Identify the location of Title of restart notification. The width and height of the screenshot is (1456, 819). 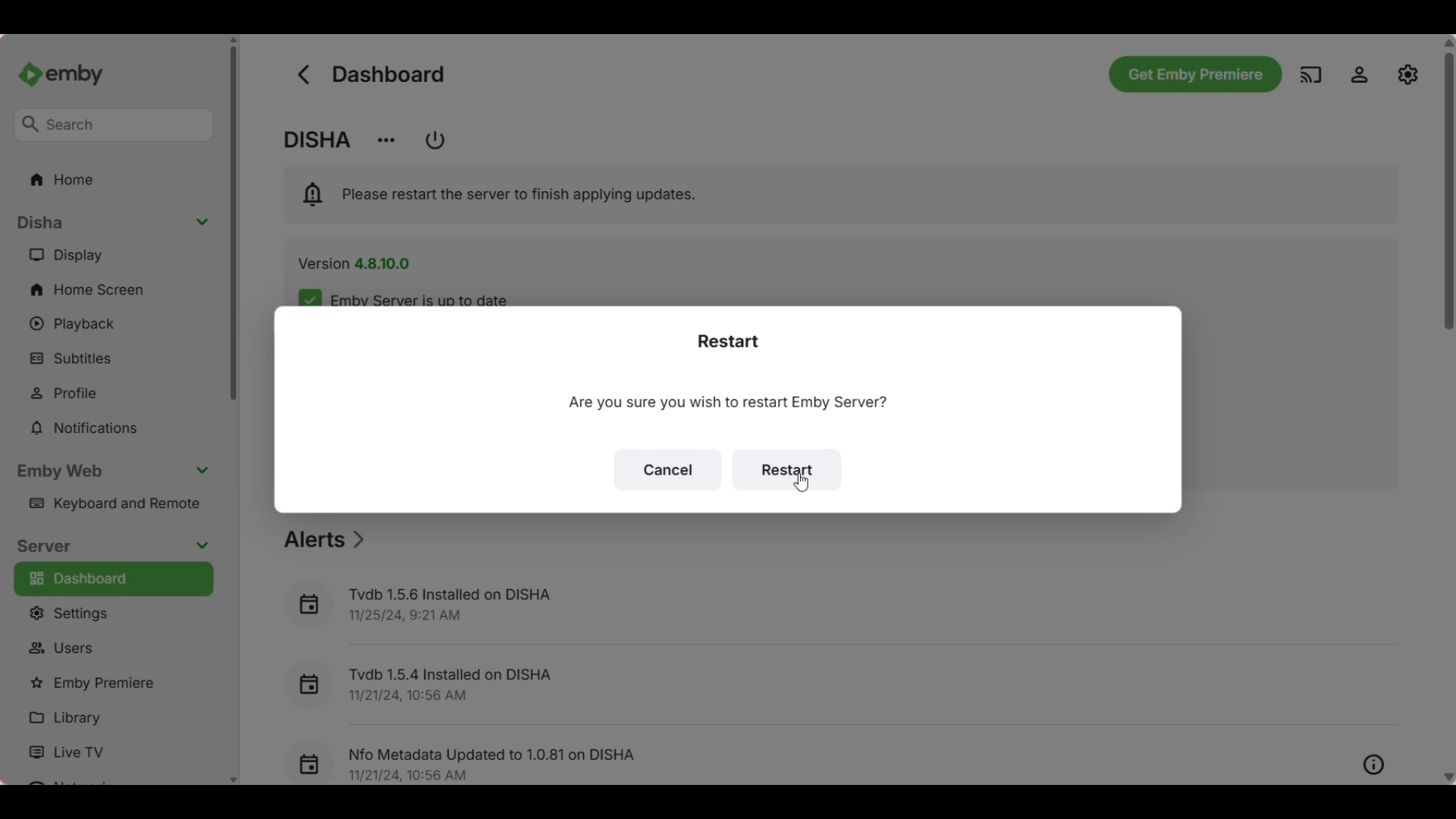
(729, 341).